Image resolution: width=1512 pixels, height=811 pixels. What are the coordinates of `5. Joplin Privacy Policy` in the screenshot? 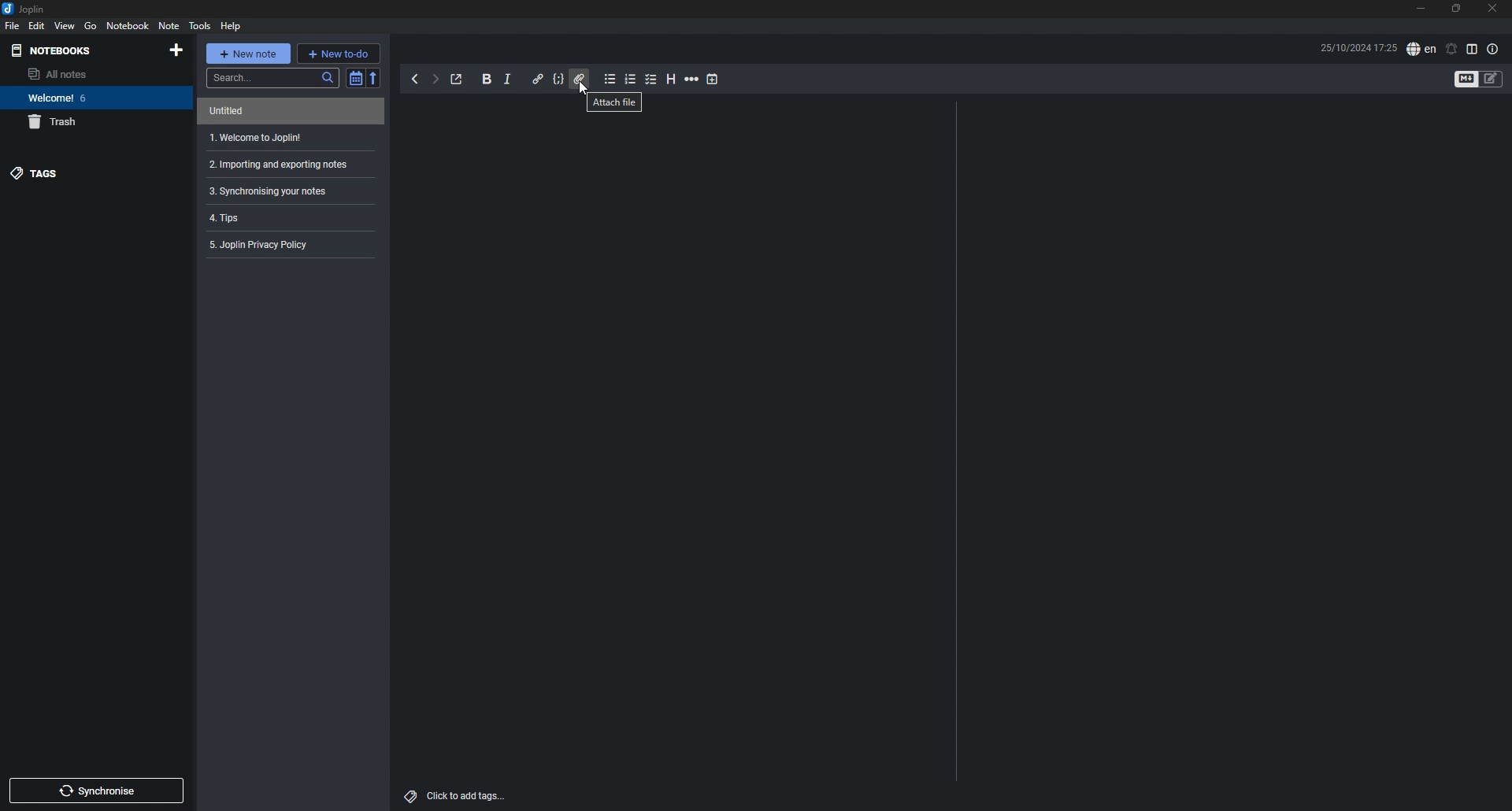 It's located at (266, 244).